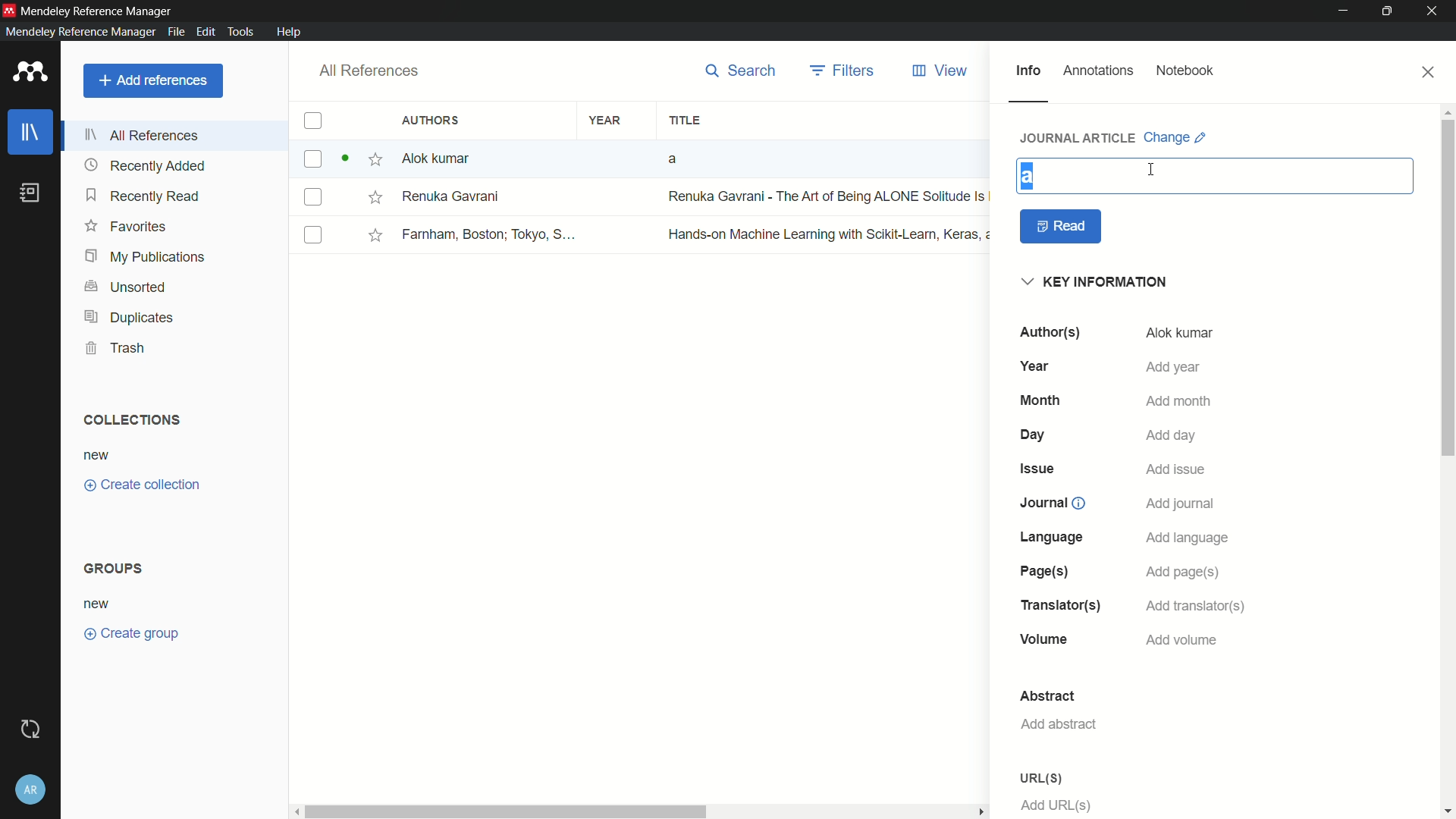  What do you see at coordinates (741, 71) in the screenshot?
I see `search` at bounding box center [741, 71].